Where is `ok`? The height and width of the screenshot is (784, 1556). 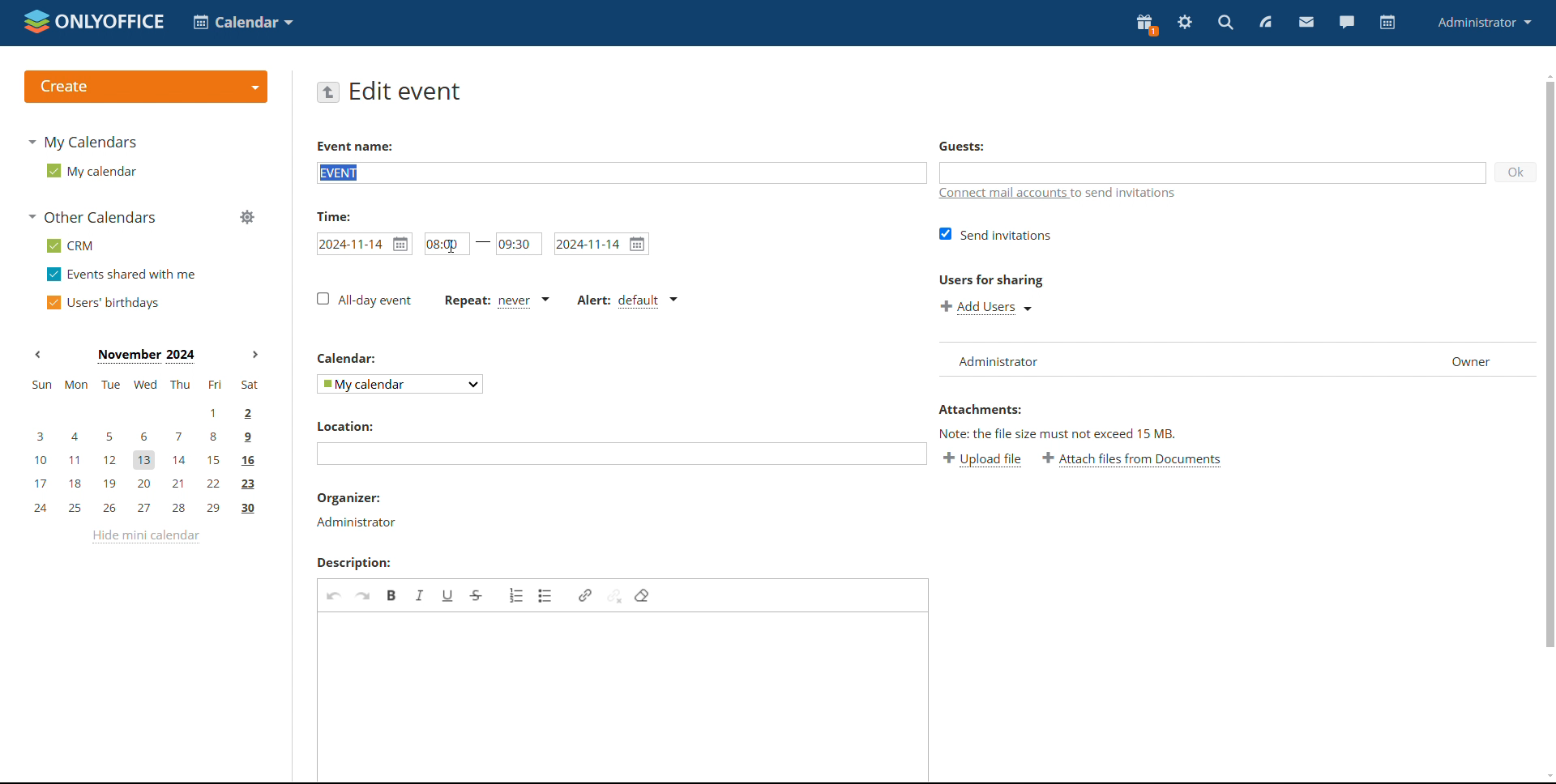 ok is located at coordinates (1515, 173).